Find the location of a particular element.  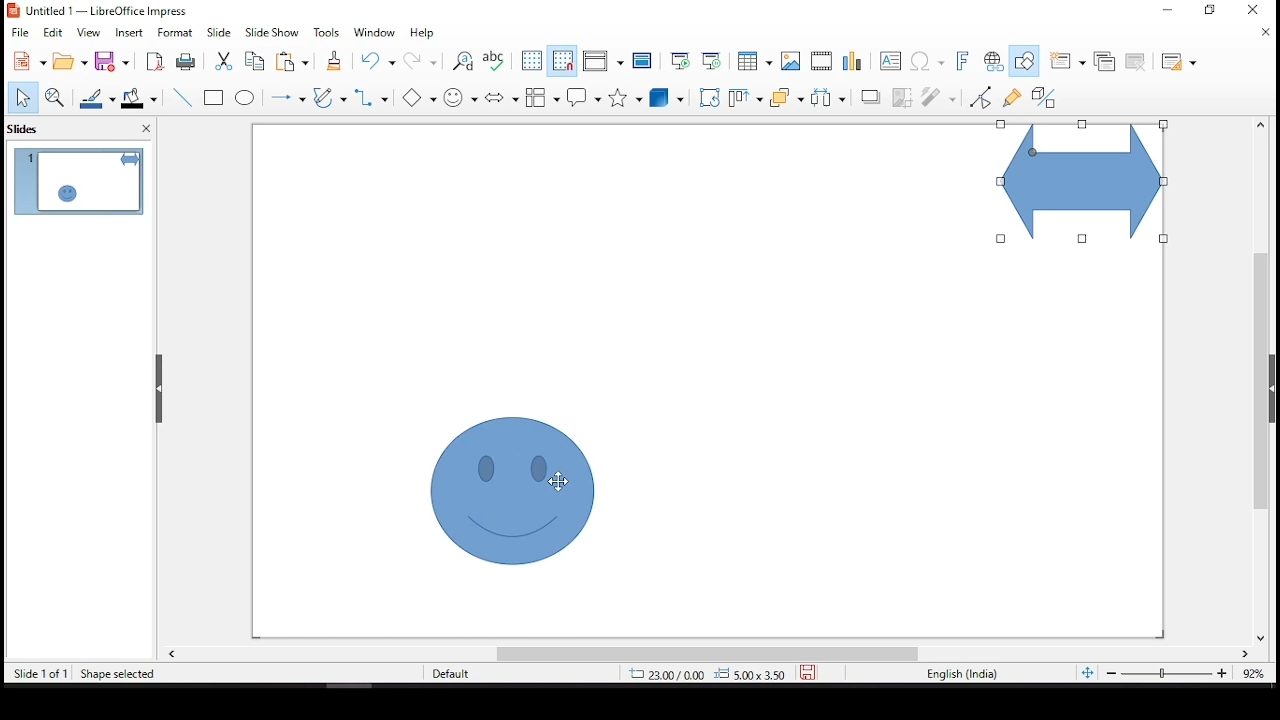

edit is located at coordinates (53, 33).